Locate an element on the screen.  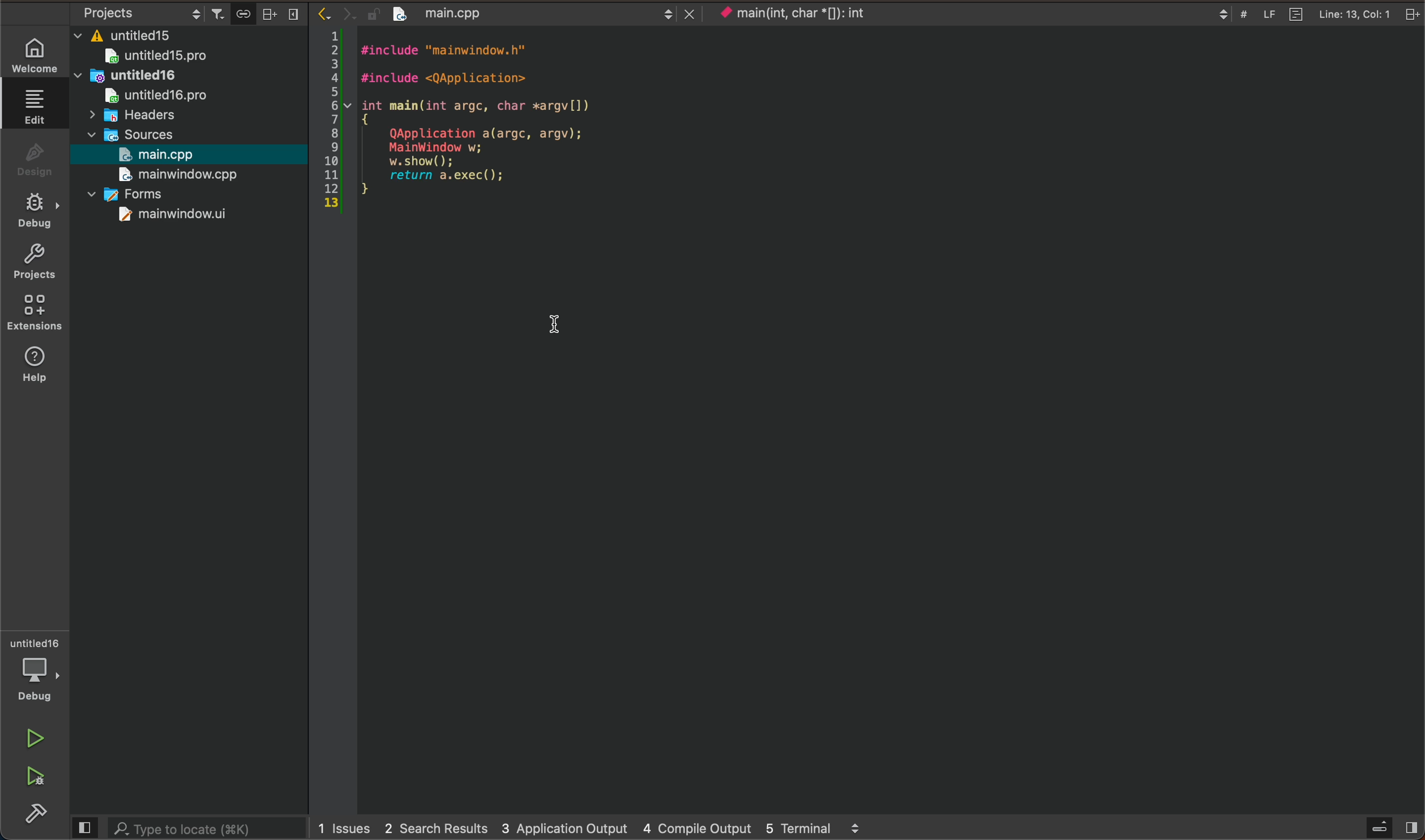
run and debug is located at coordinates (38, 776).